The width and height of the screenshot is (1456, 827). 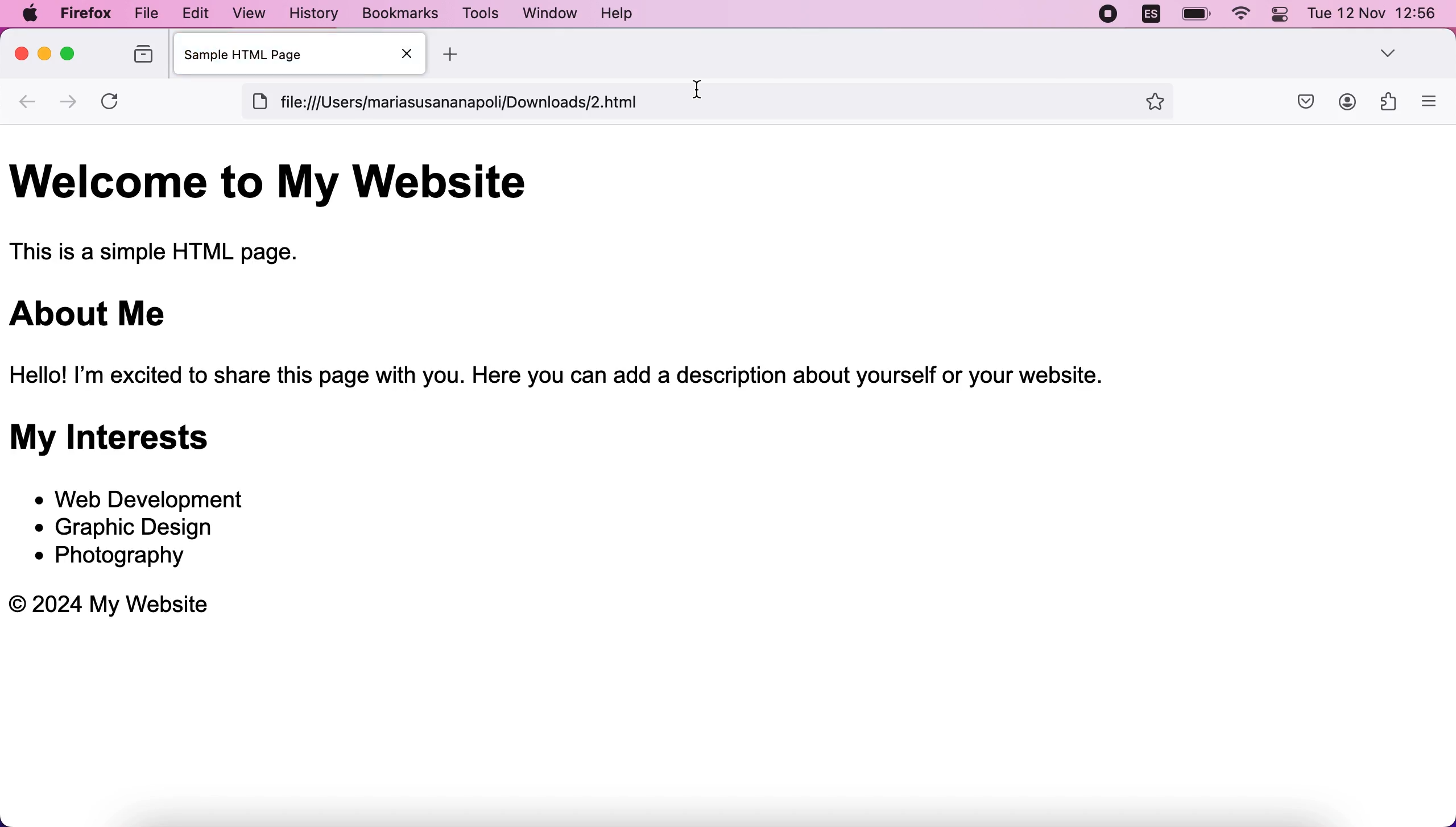 I want to click on window, so click(x=552, y=13).